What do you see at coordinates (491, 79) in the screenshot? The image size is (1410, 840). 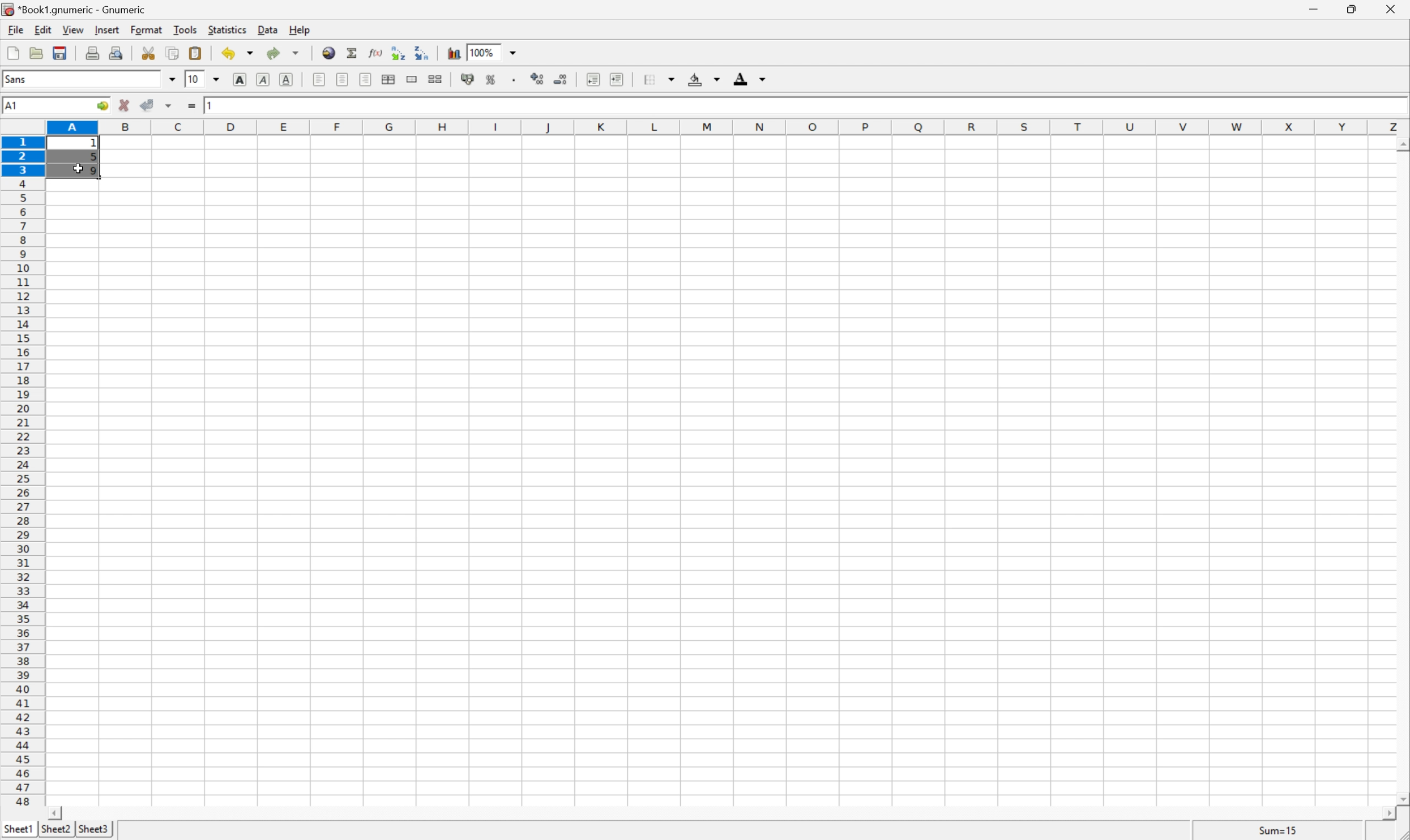 I see `format selection as percentage` at bounding box center [491, 79].